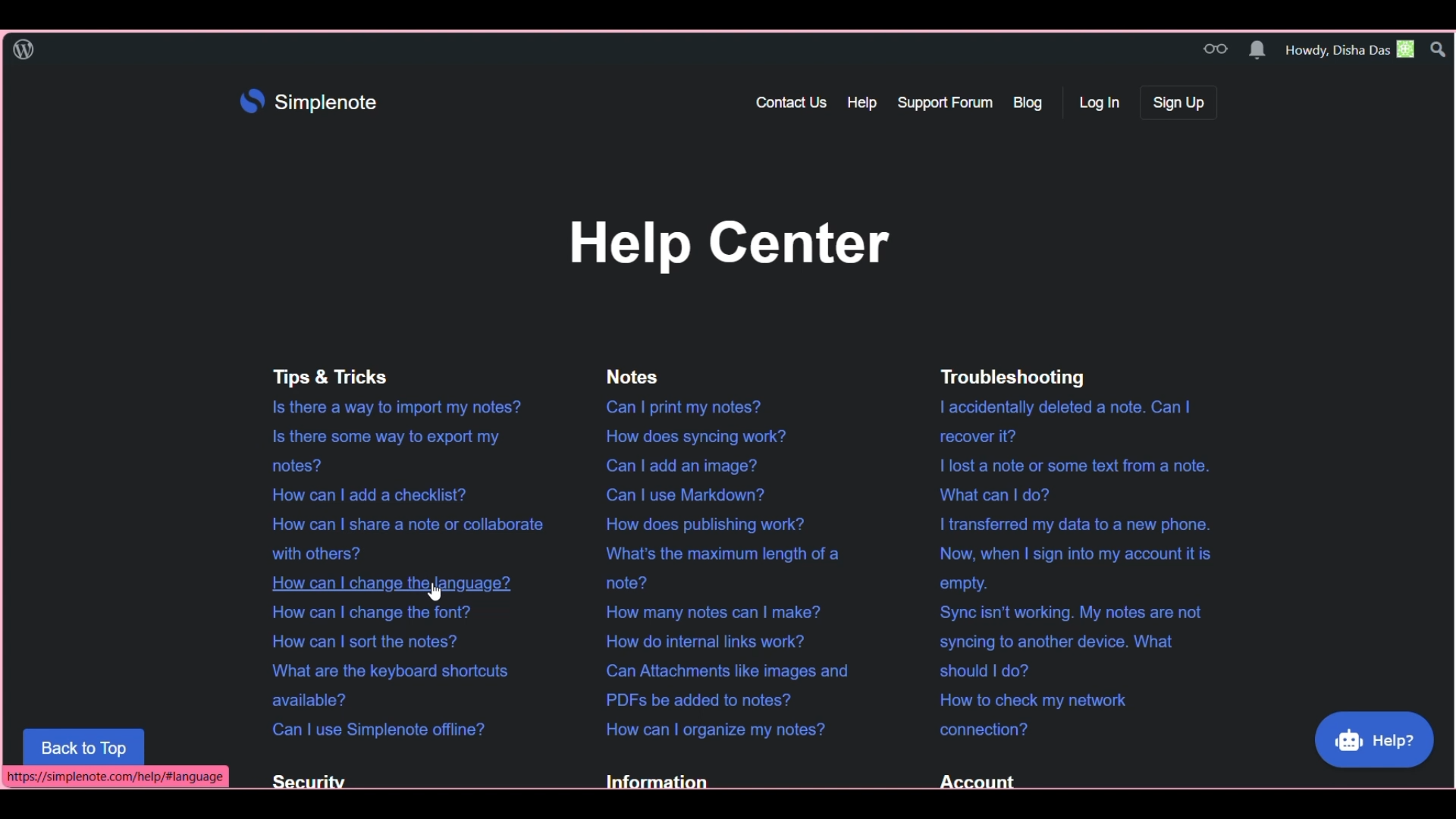  Describe the element at coordinates (303, 781) in the screenshot. I see `Security _` at that location.